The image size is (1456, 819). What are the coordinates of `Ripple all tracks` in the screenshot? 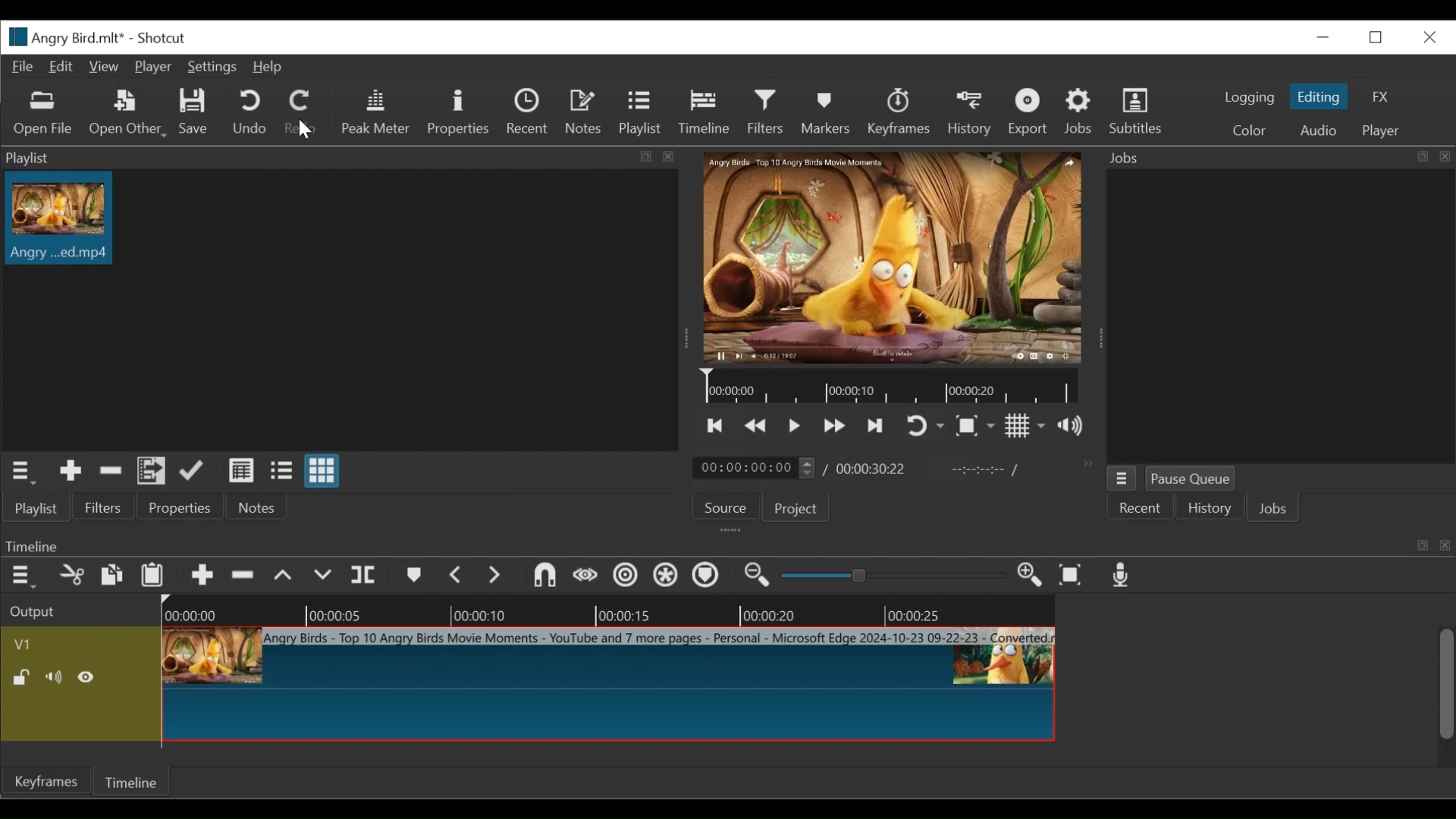 It's located at (667, 577).